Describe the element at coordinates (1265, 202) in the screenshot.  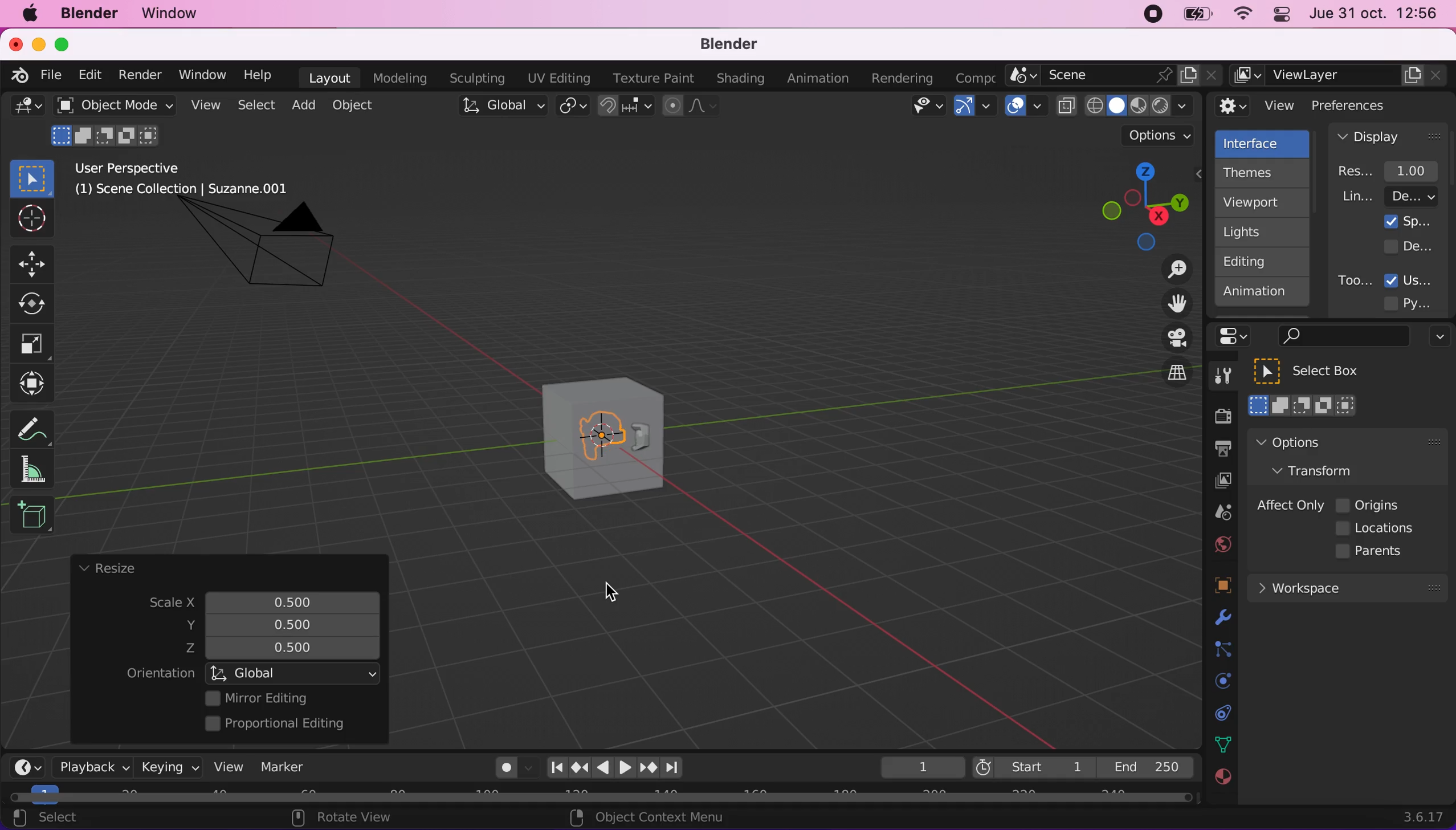
I see `viewport` at that location.